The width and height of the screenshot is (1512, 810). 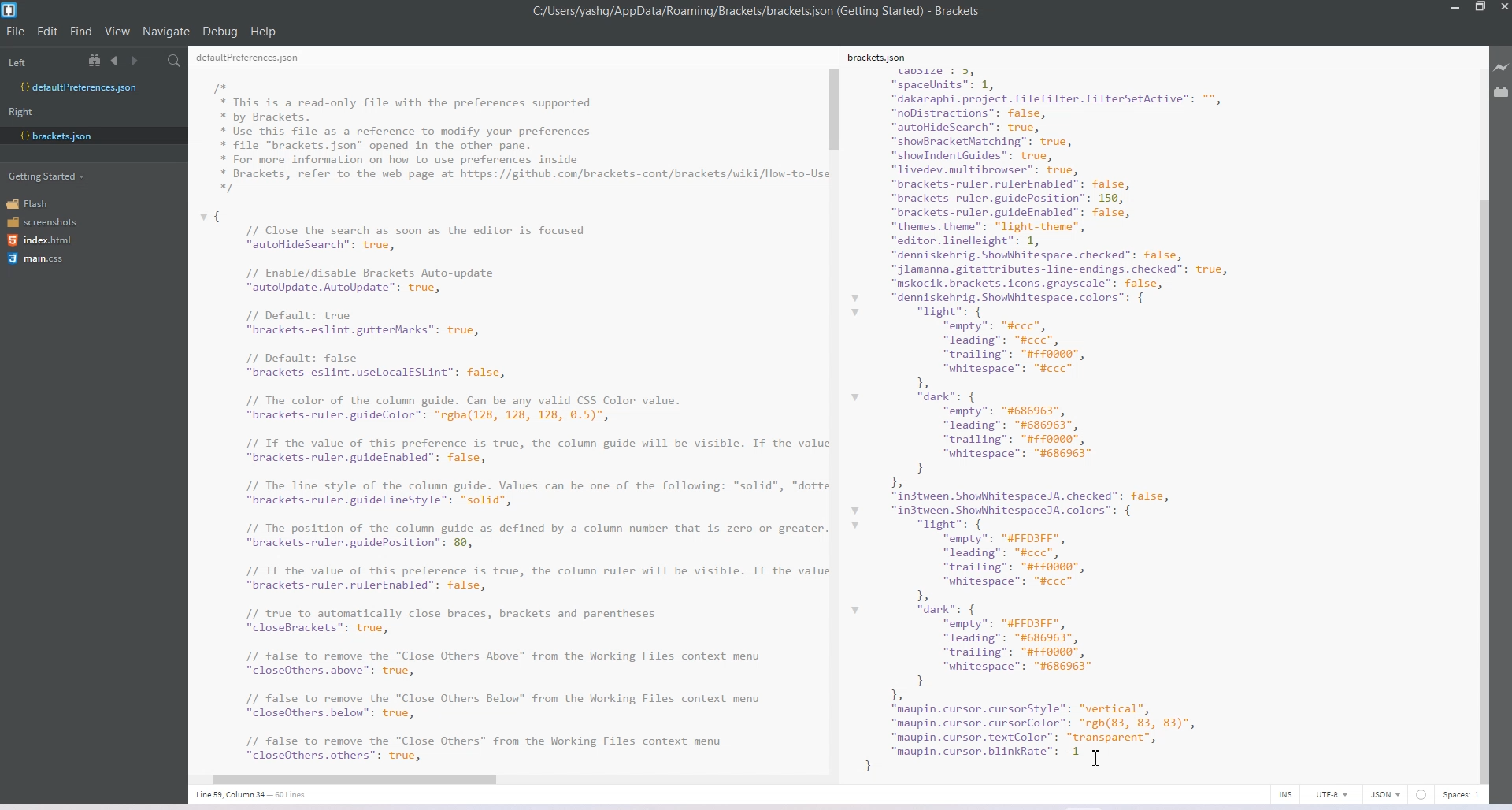 I want to click on Find, so click(x=82, y=31).